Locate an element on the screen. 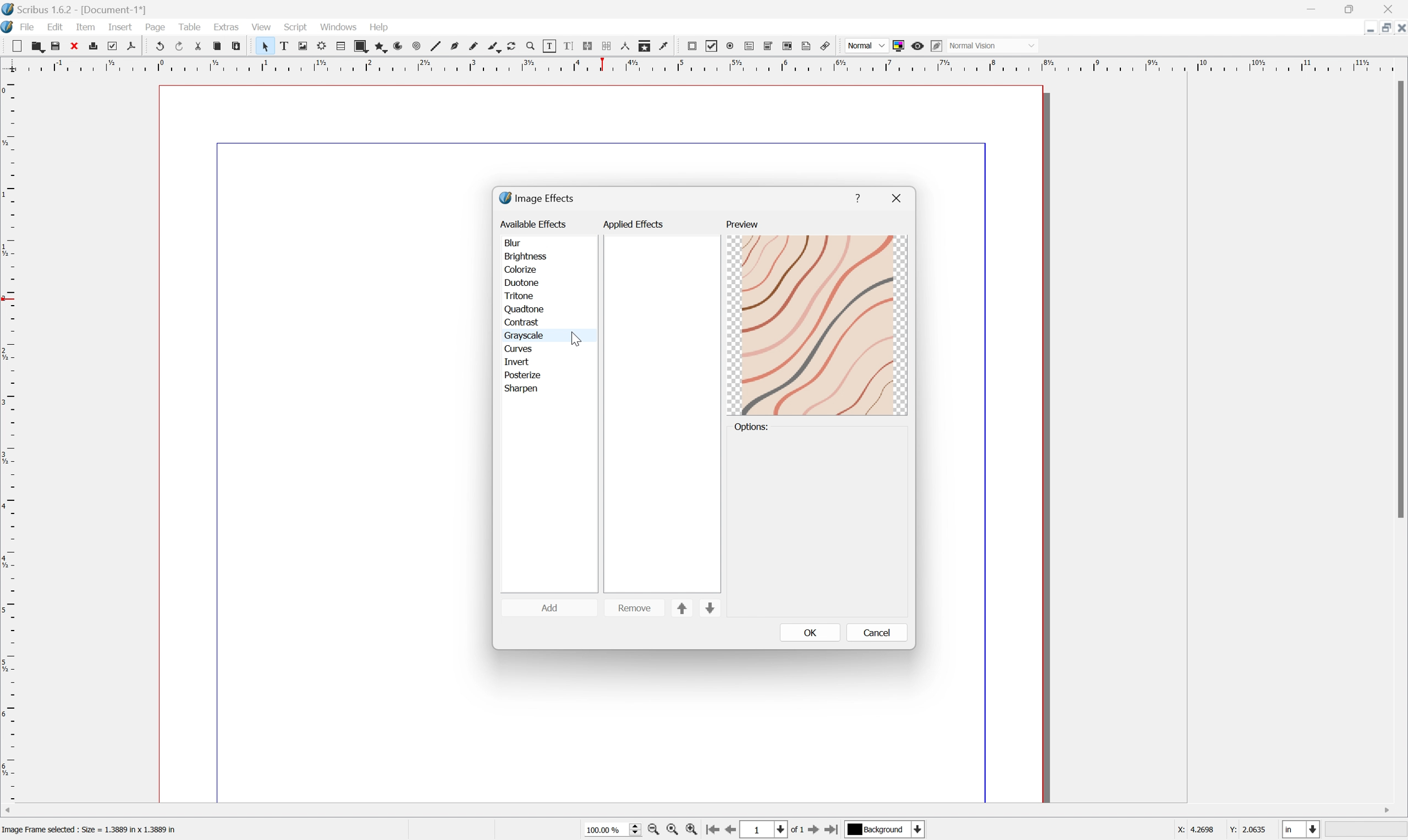  Minimize is located at coordinates (1360, 28).